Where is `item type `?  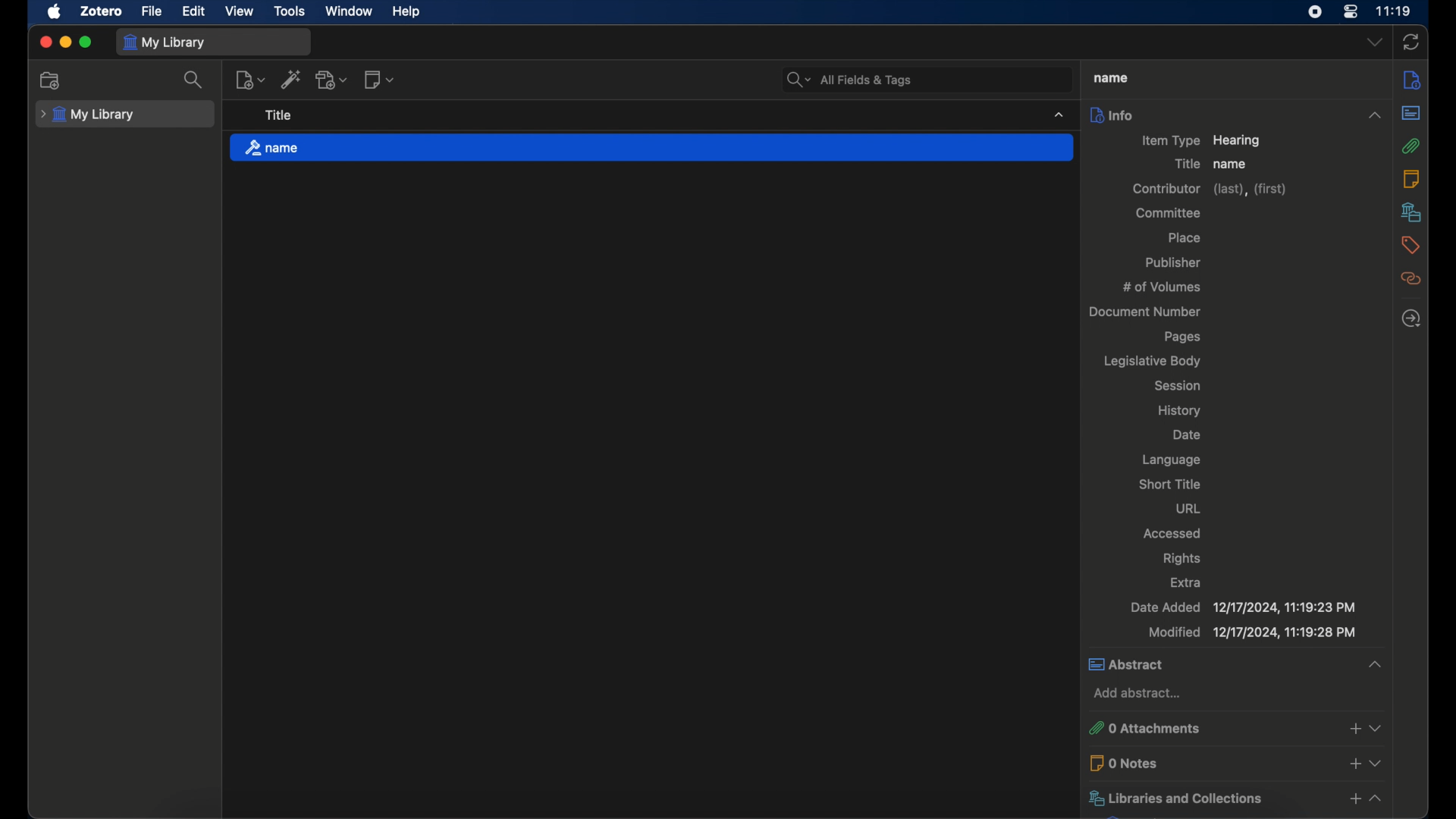
item type  is located at coordinates (1201, 140).